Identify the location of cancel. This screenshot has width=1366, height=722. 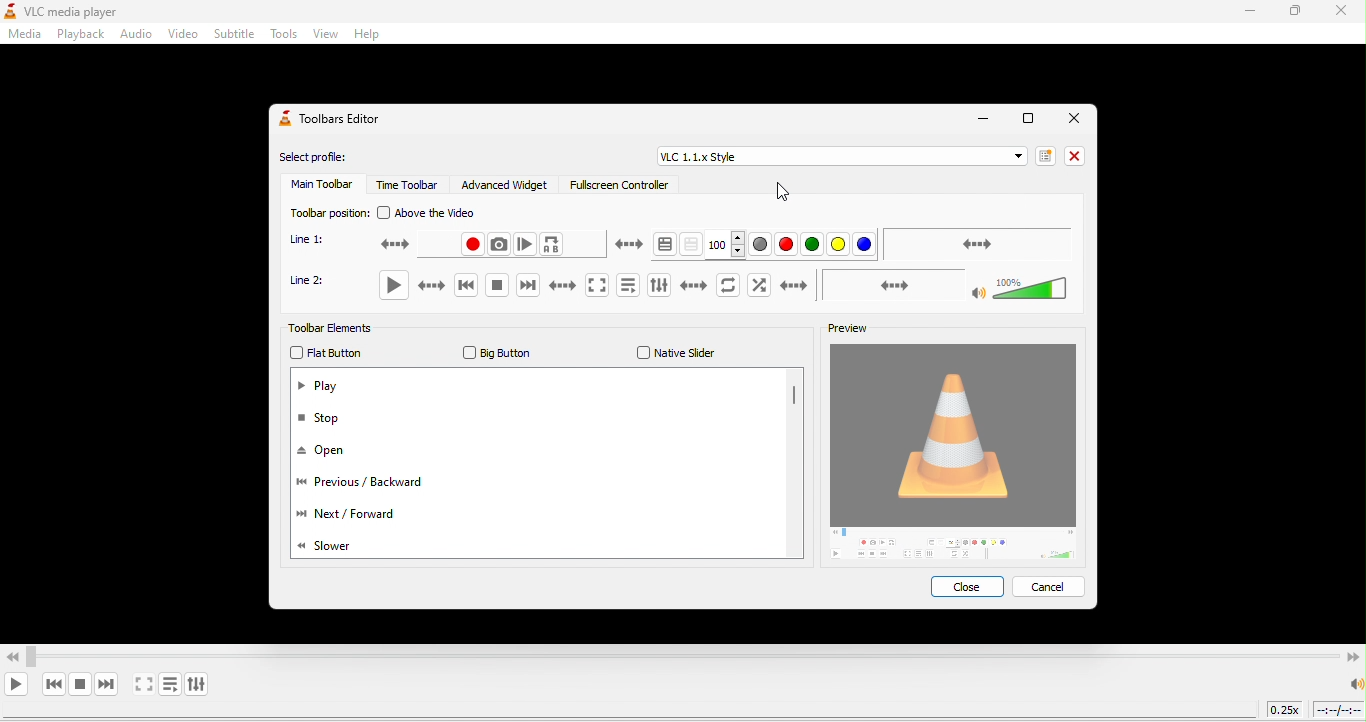
(1051, 586).